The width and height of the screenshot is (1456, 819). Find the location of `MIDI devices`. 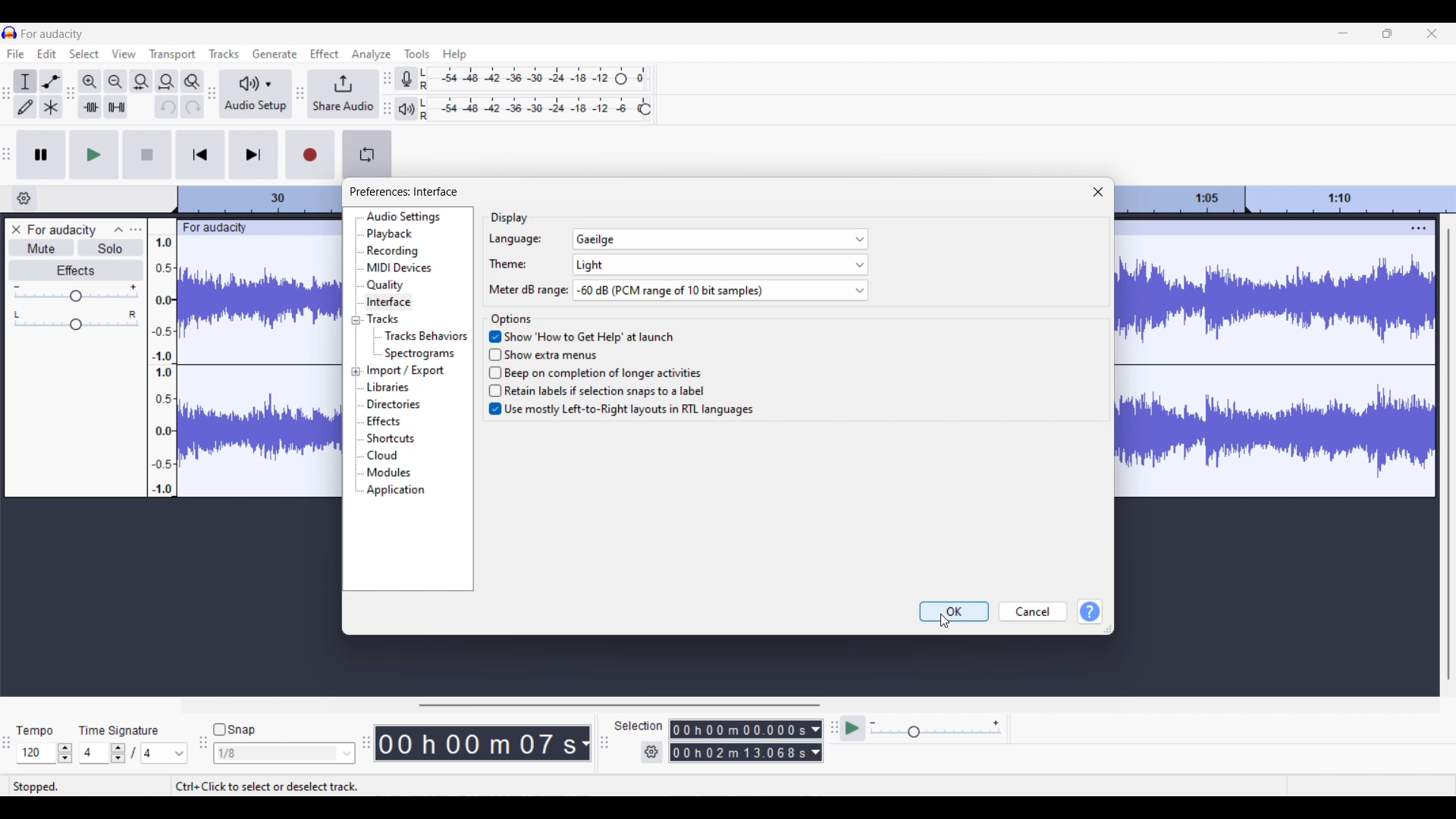

MIDI devices is located at coordinates (400, 268).